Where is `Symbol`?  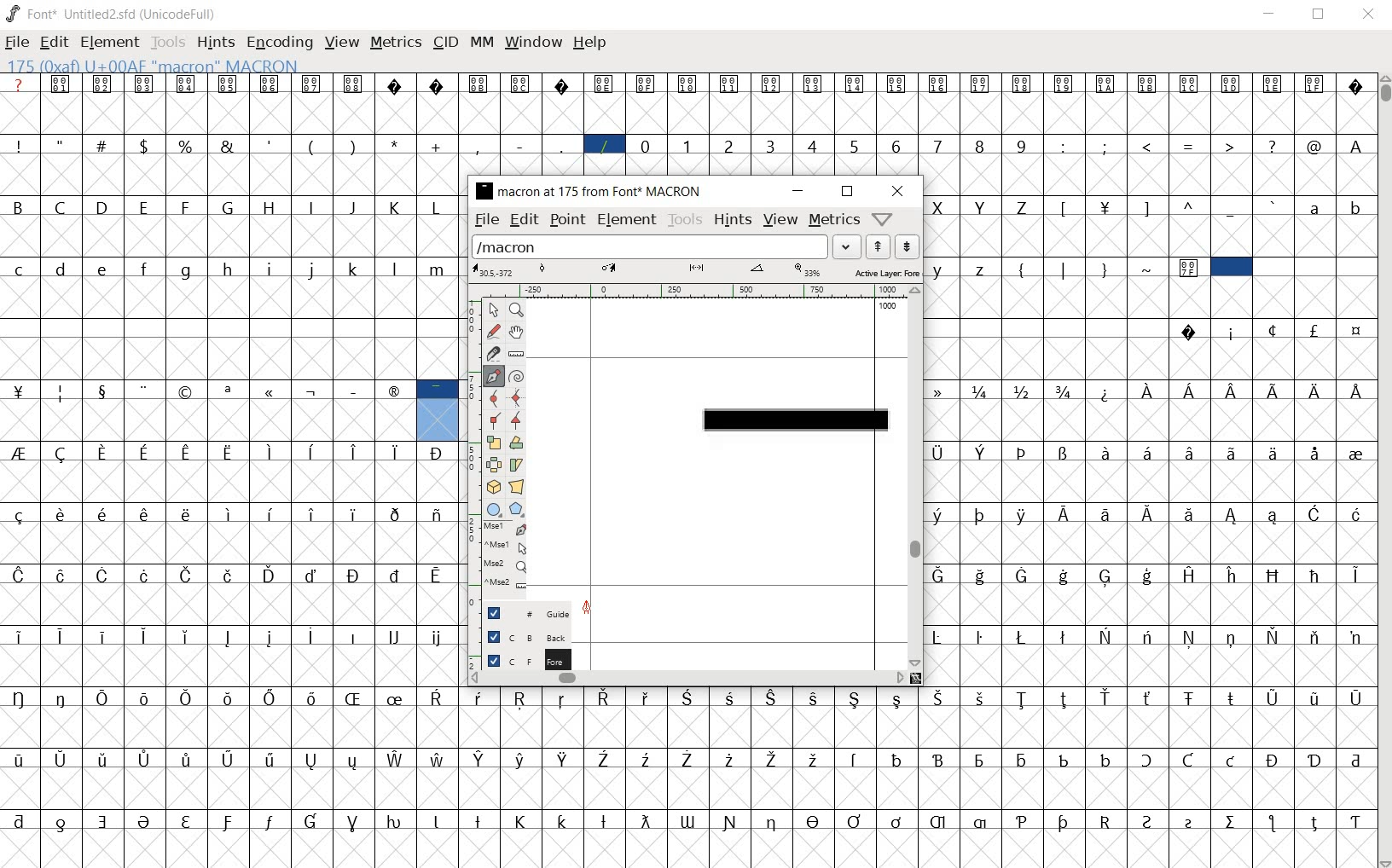 Symbol is located at coordinates (1064, 85).